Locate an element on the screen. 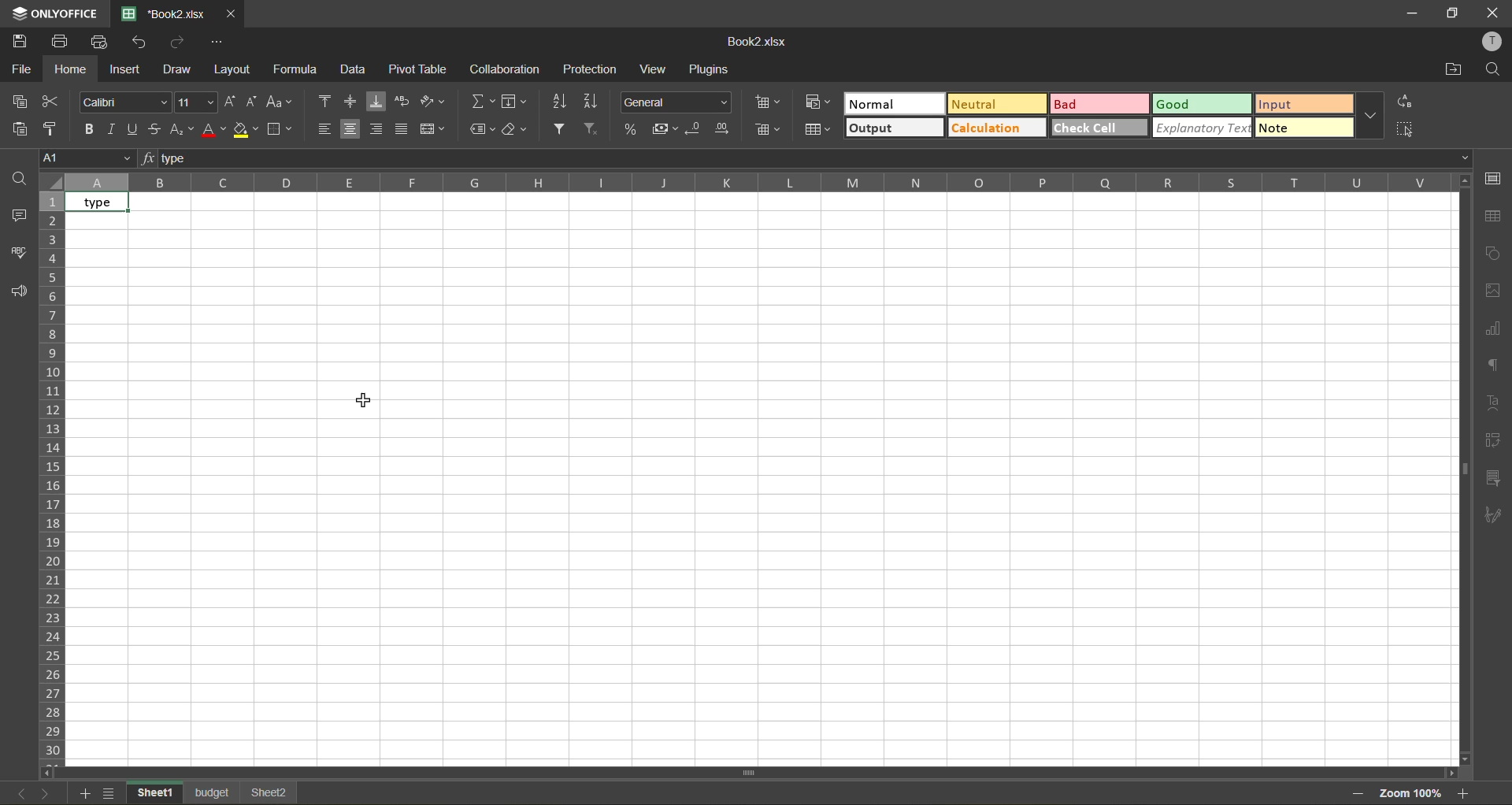  neutral is located at coordinates (996, 104).